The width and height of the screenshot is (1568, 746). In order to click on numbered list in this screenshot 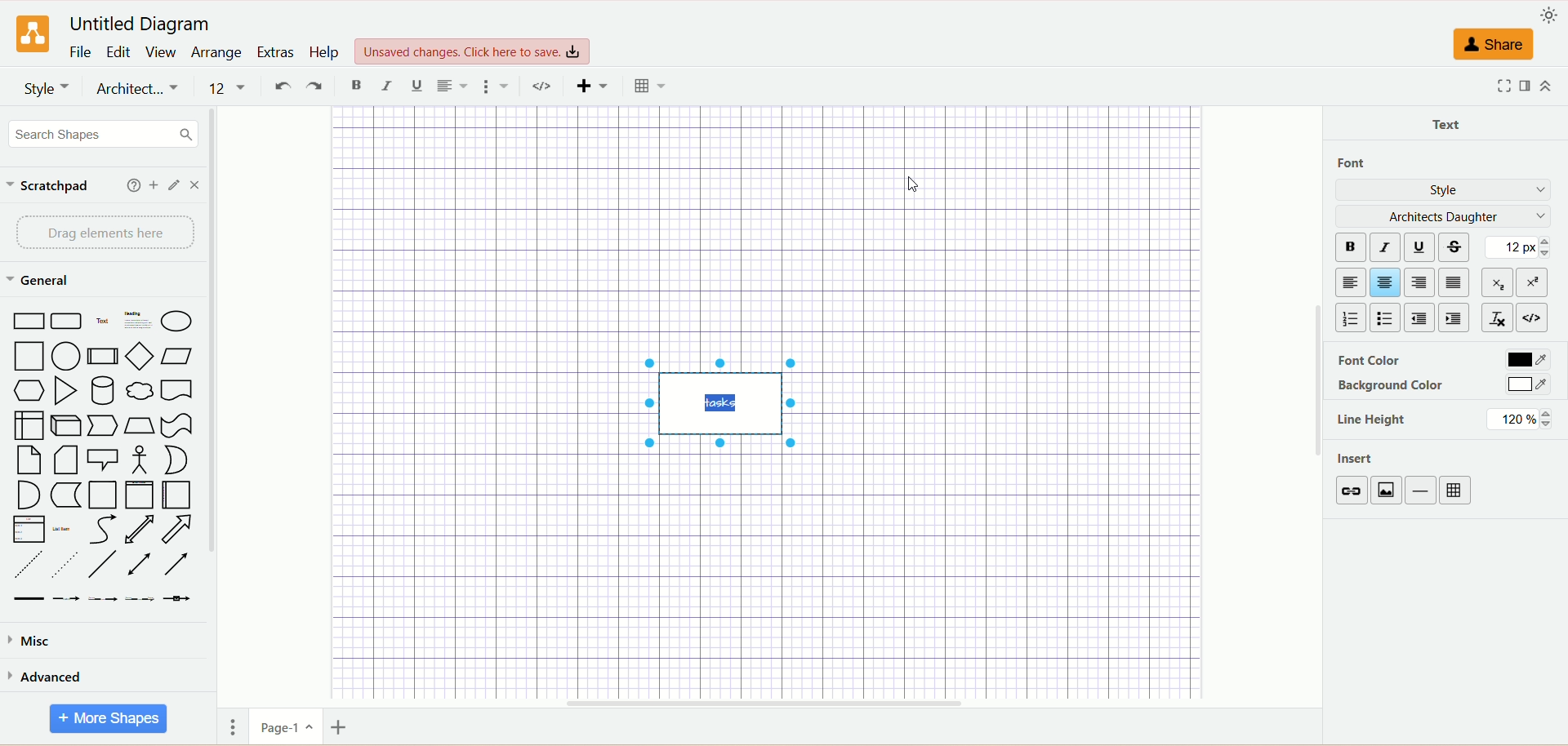, I will do `click(1349, 318)`.